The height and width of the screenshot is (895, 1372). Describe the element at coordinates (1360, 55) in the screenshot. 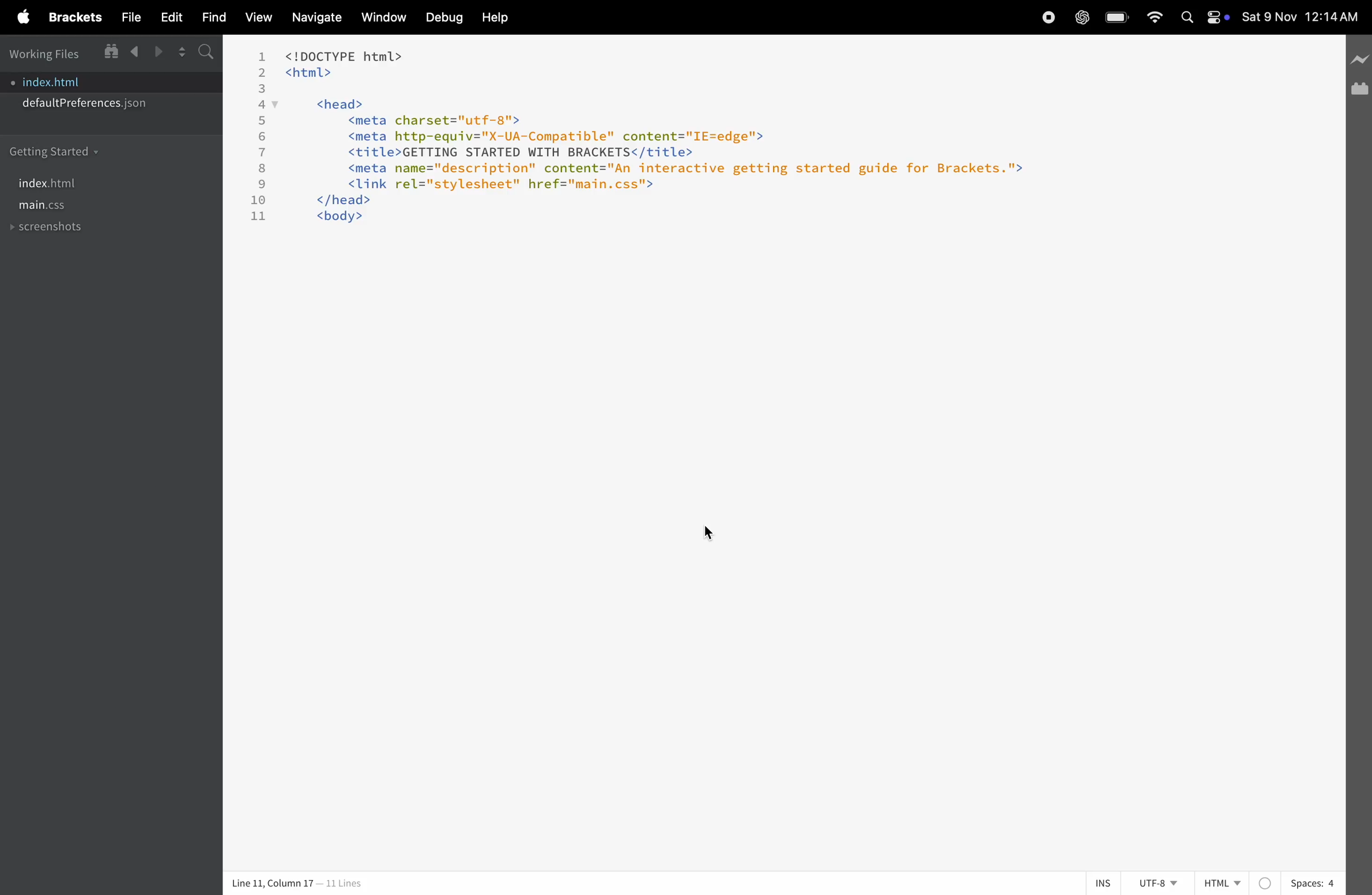

I see `new line` at that location.